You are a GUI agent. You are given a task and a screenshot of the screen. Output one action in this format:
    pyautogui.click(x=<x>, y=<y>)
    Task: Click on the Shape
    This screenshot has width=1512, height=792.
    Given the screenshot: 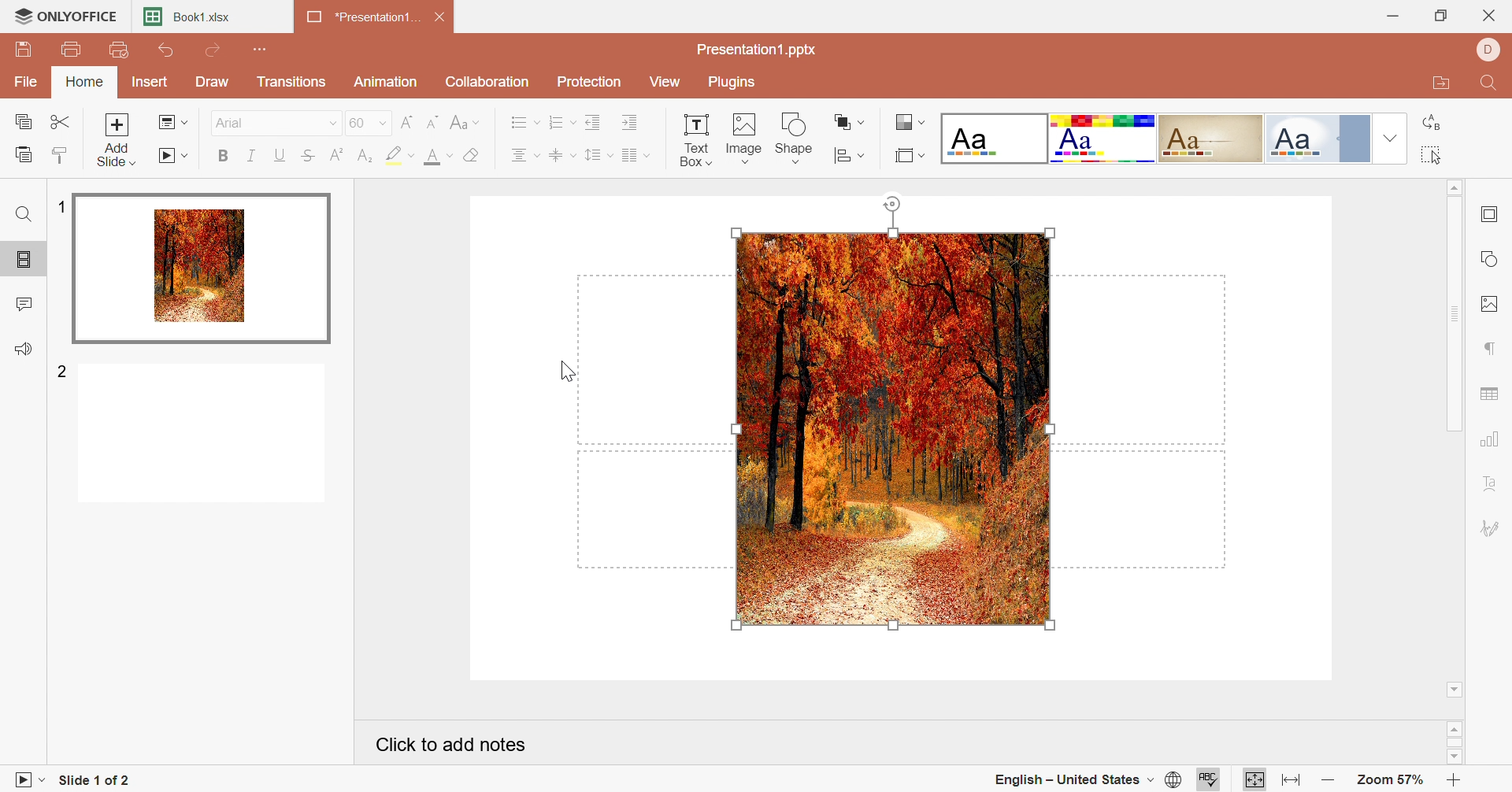 What is the action you would take?
    pyautogui.click(x=797, y=139)
    